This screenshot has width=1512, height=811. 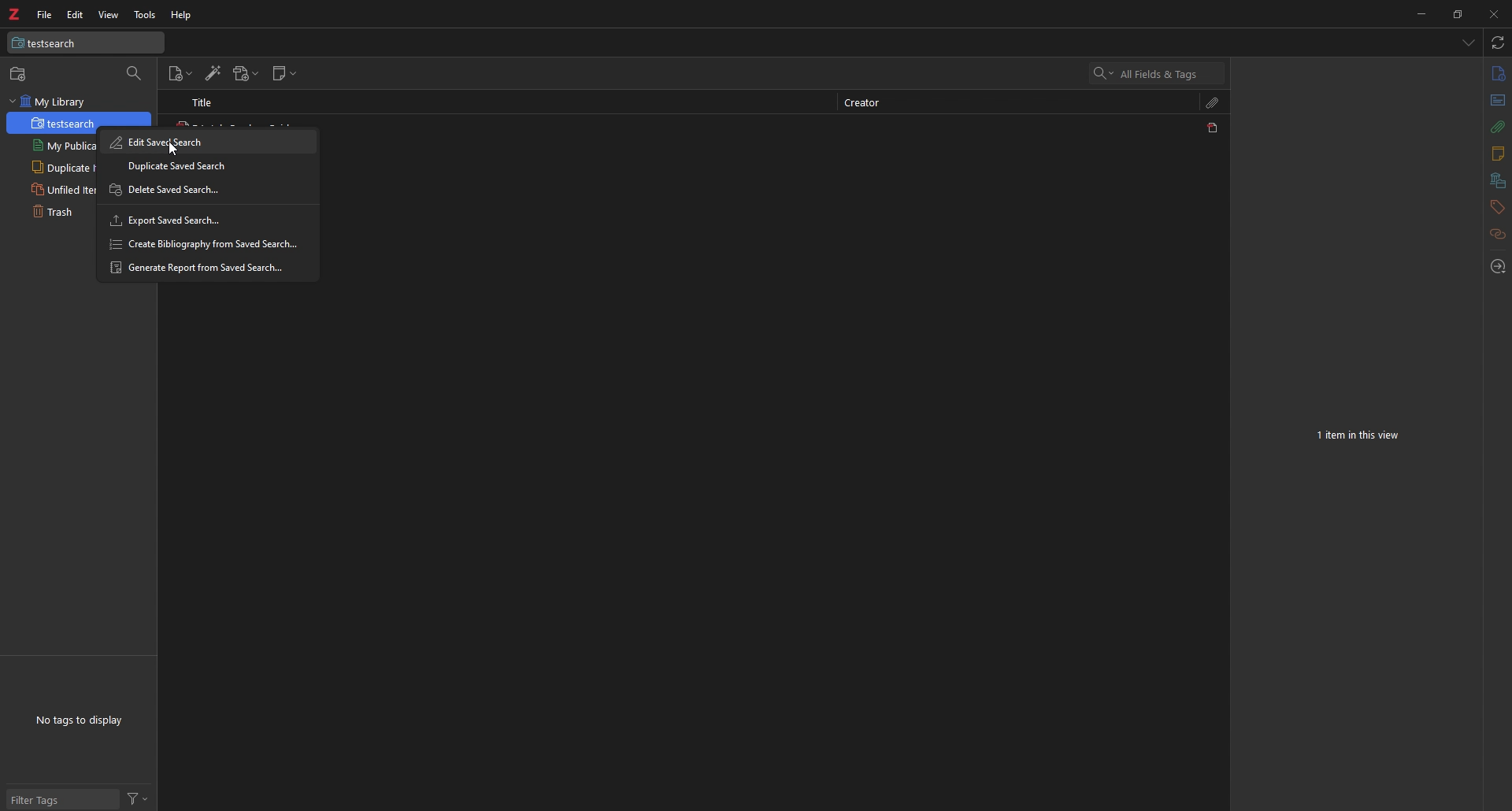 What do you see at coordinates (1496, 268) in the screenshot?
I see `locate` at bounding box center [1496, 268].